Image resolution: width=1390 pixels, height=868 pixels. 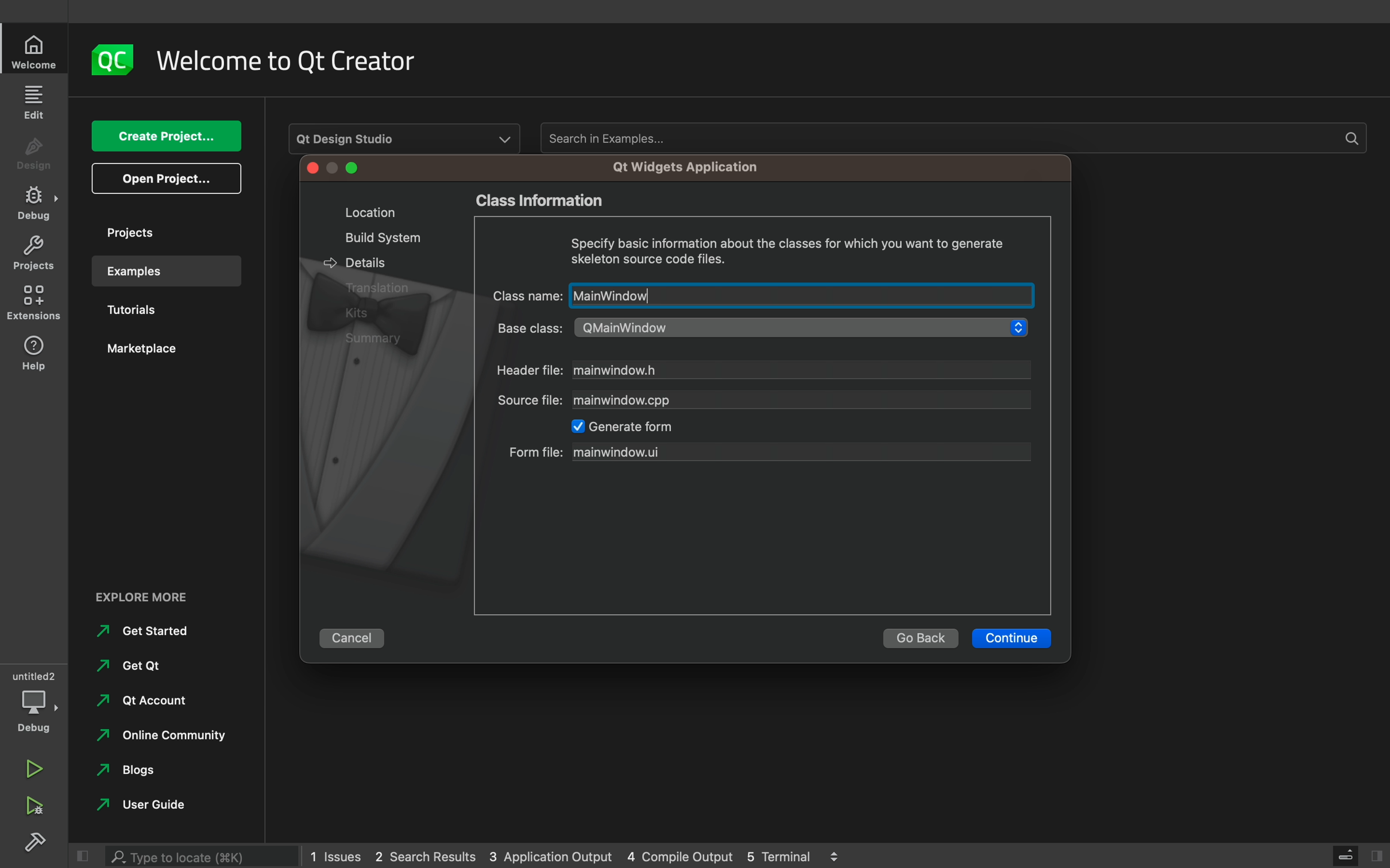 I want to click on welcome to qt creator, so click(x=296, y=61).